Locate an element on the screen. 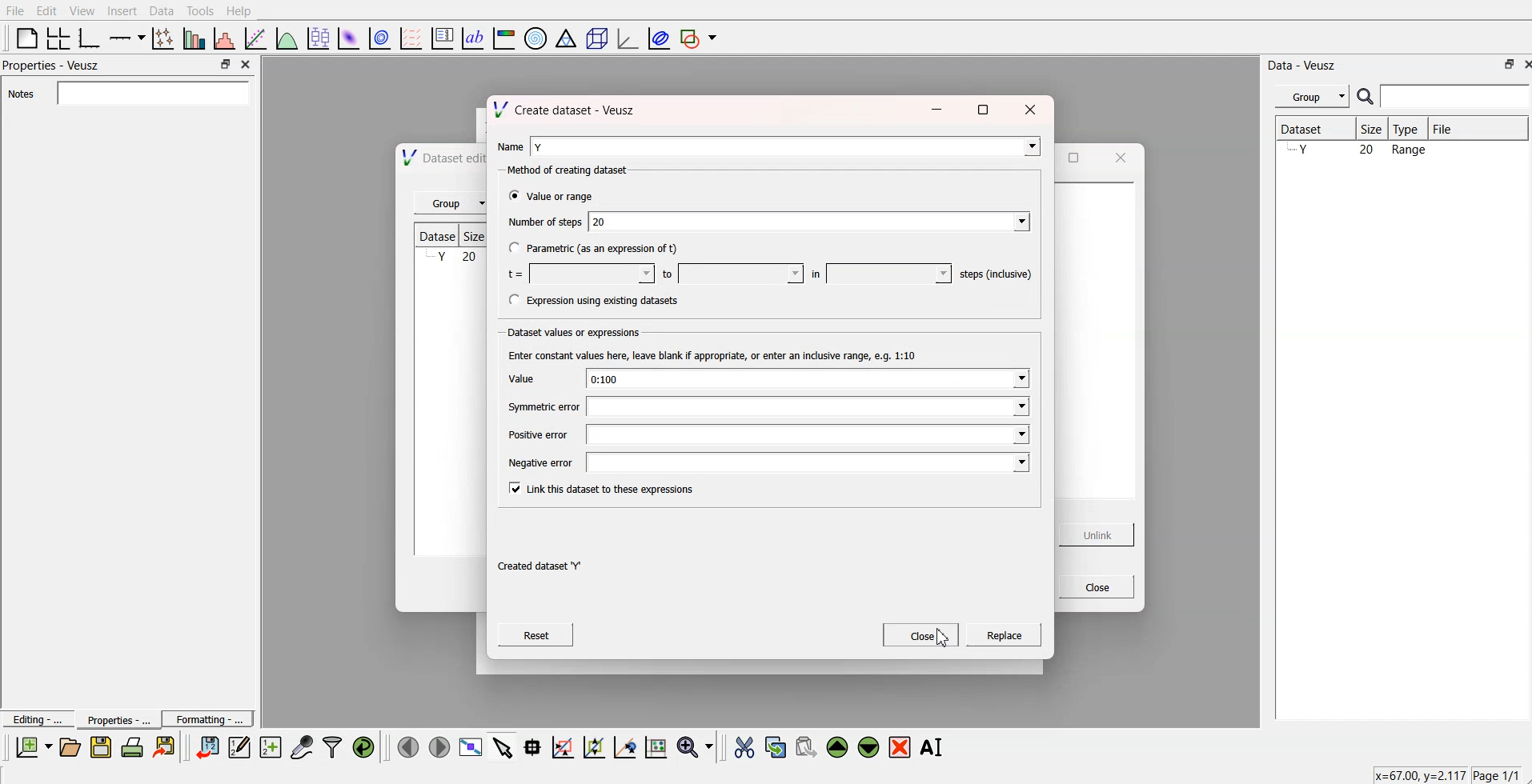 The width and height of the screenshot is (1532, 784). ‘Symmetric error is located at coordinates (532, 407).